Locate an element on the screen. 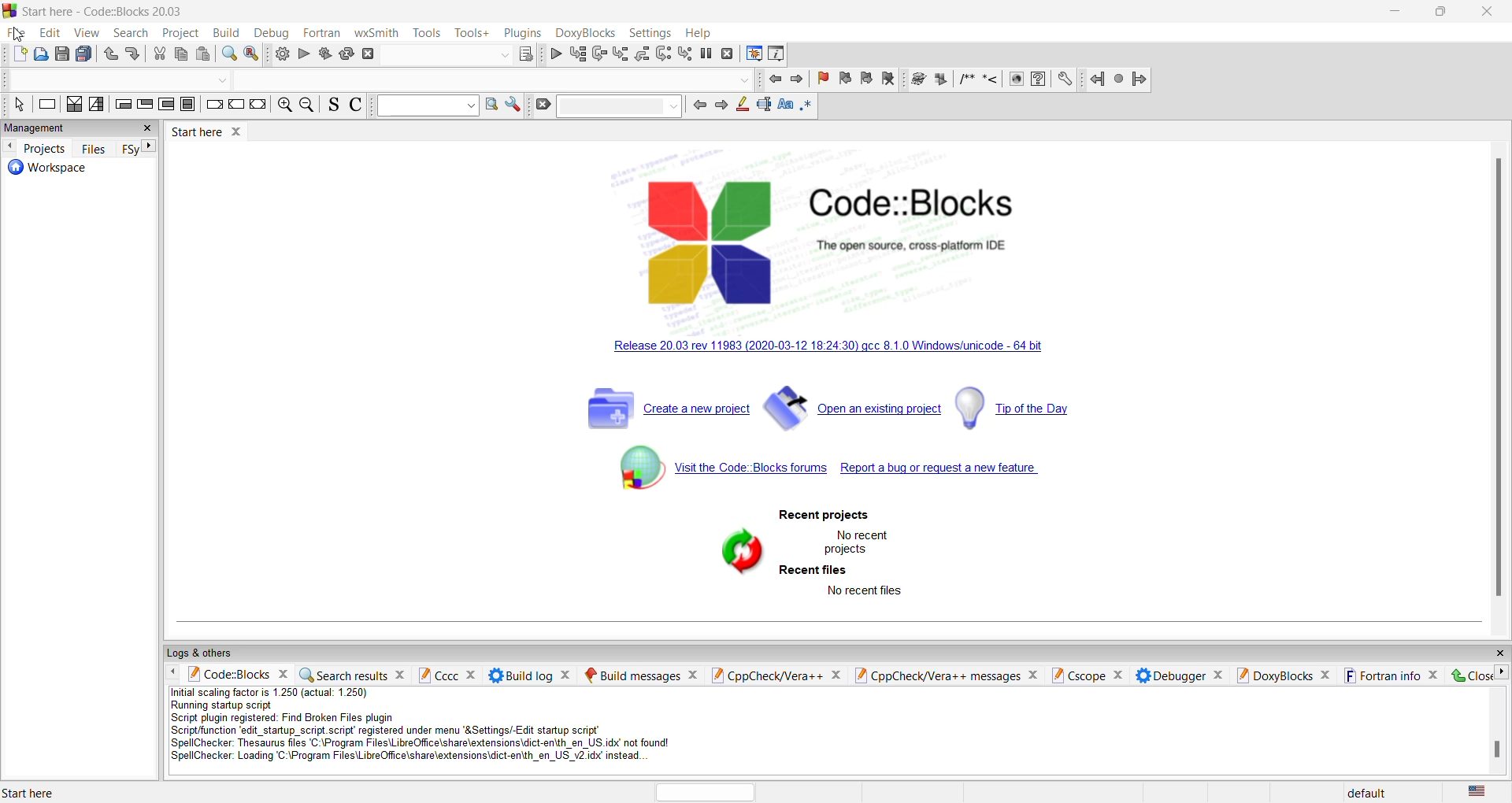  close is located at coordinates (691, 674).